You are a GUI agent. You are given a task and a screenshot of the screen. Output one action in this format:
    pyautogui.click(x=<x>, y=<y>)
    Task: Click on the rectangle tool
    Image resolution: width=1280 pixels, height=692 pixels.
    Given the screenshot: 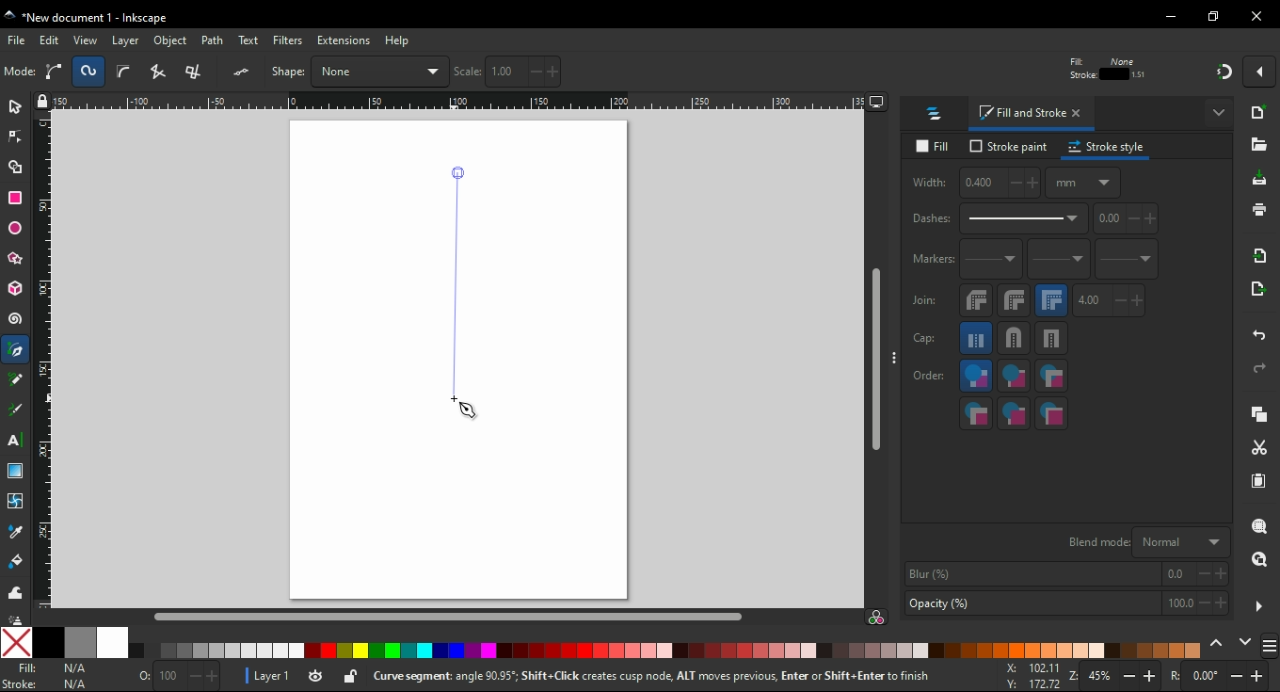 What is the action you would take?
    pyautogui.click(x=16, y=197)
    